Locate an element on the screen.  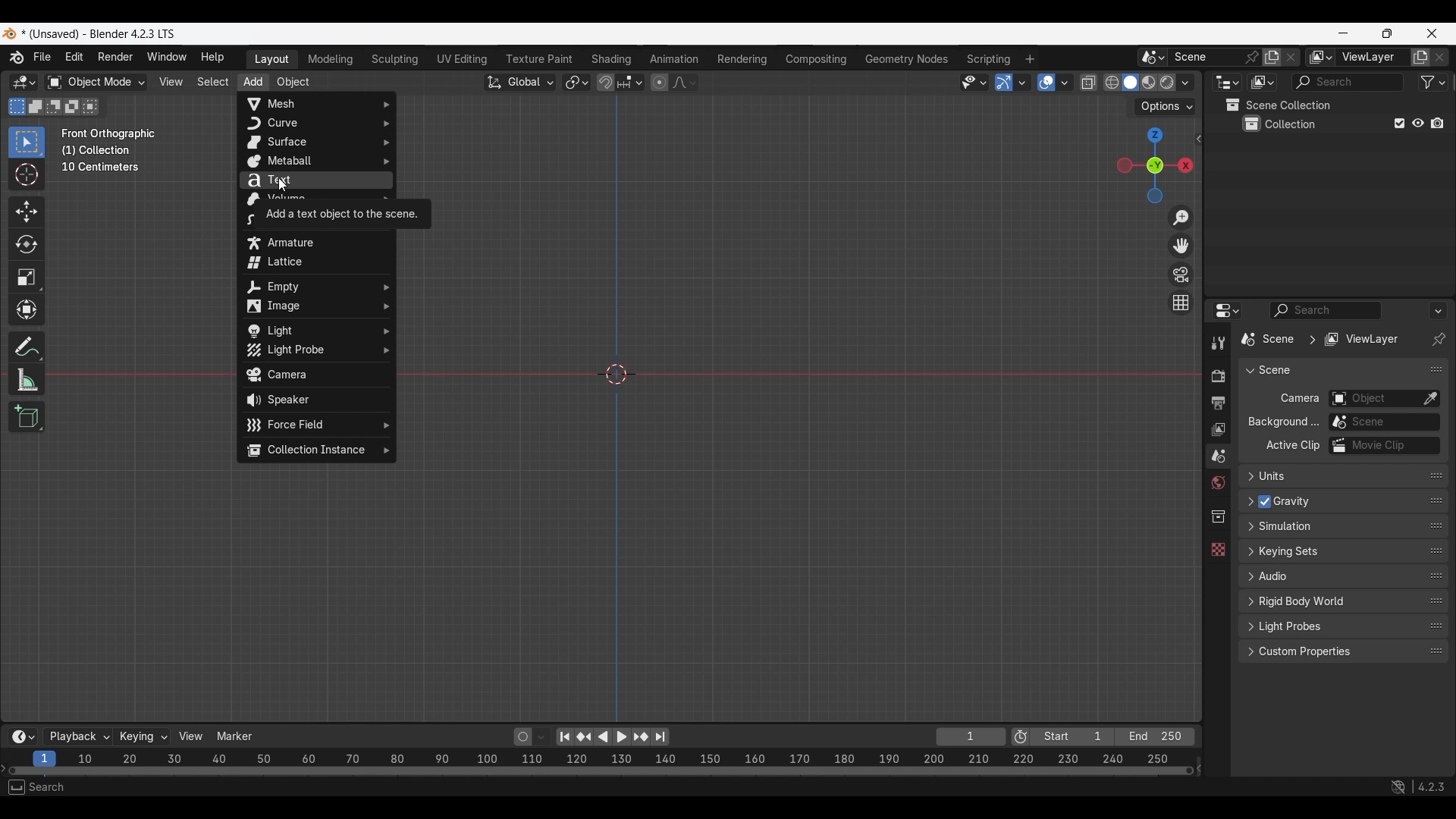
Snapping options is located at coordinates (632, 82).